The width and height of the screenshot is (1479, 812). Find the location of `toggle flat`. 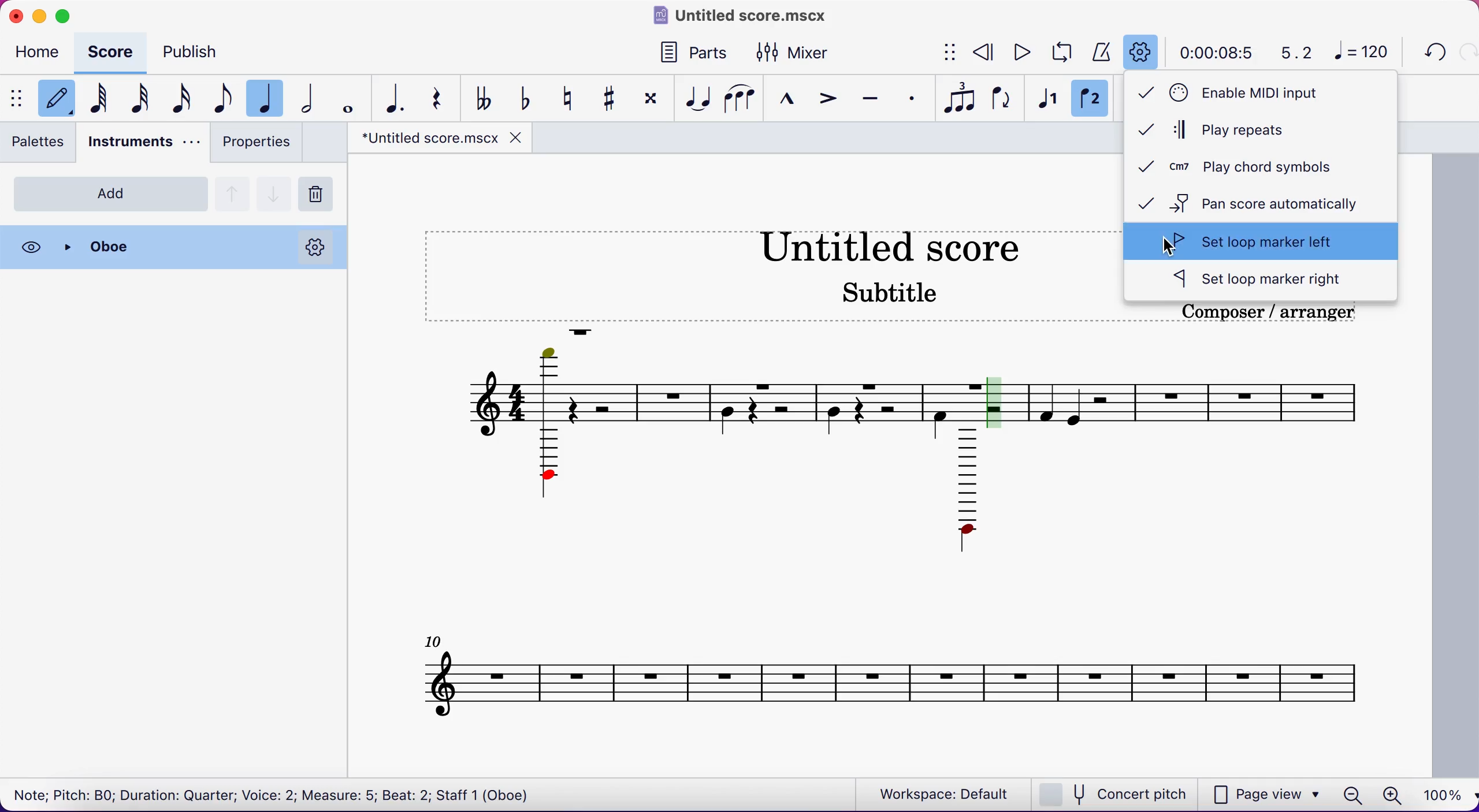

toggle flat is located at coordinates (529, 96).